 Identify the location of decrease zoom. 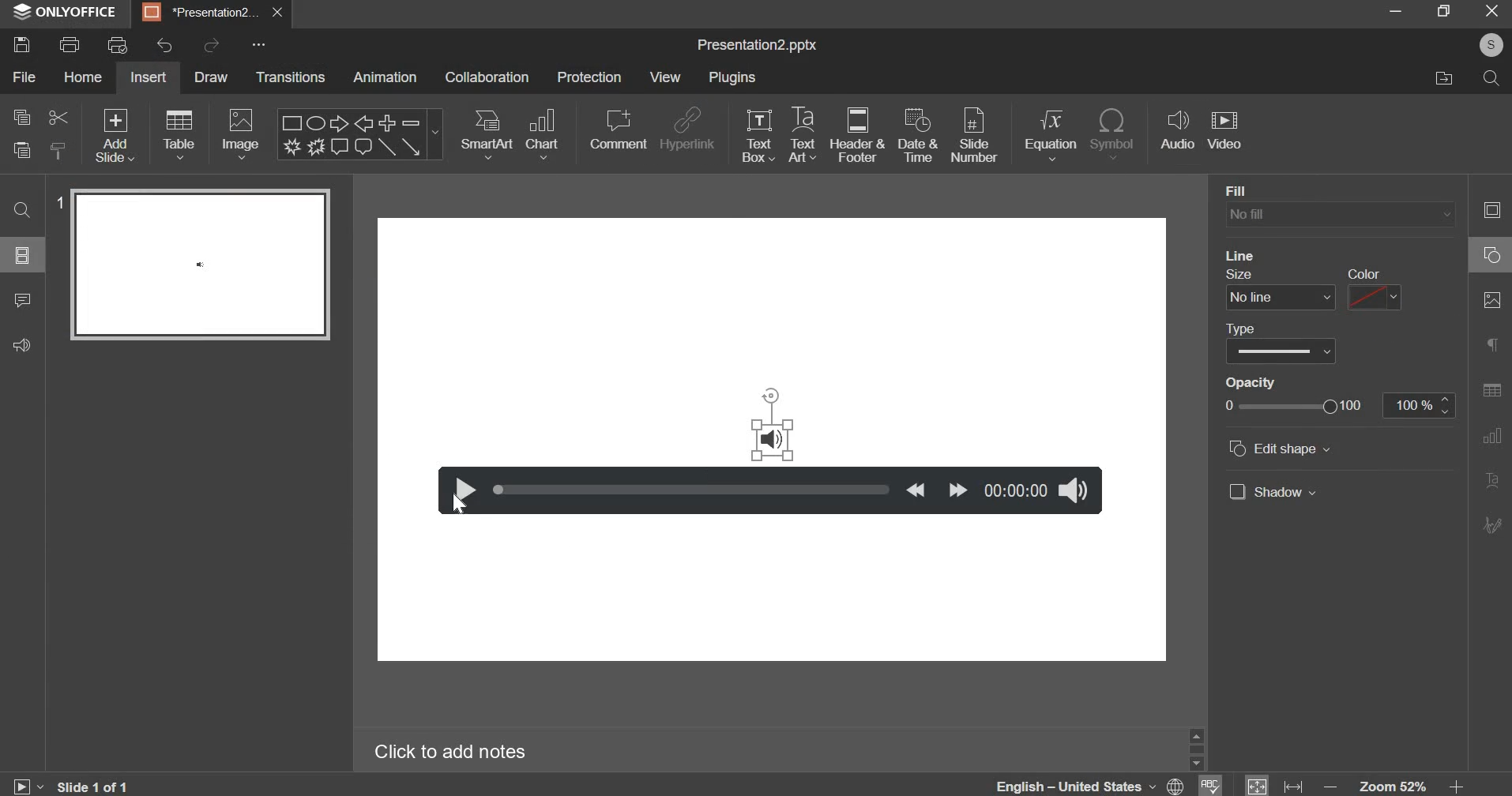
(1330, 786).